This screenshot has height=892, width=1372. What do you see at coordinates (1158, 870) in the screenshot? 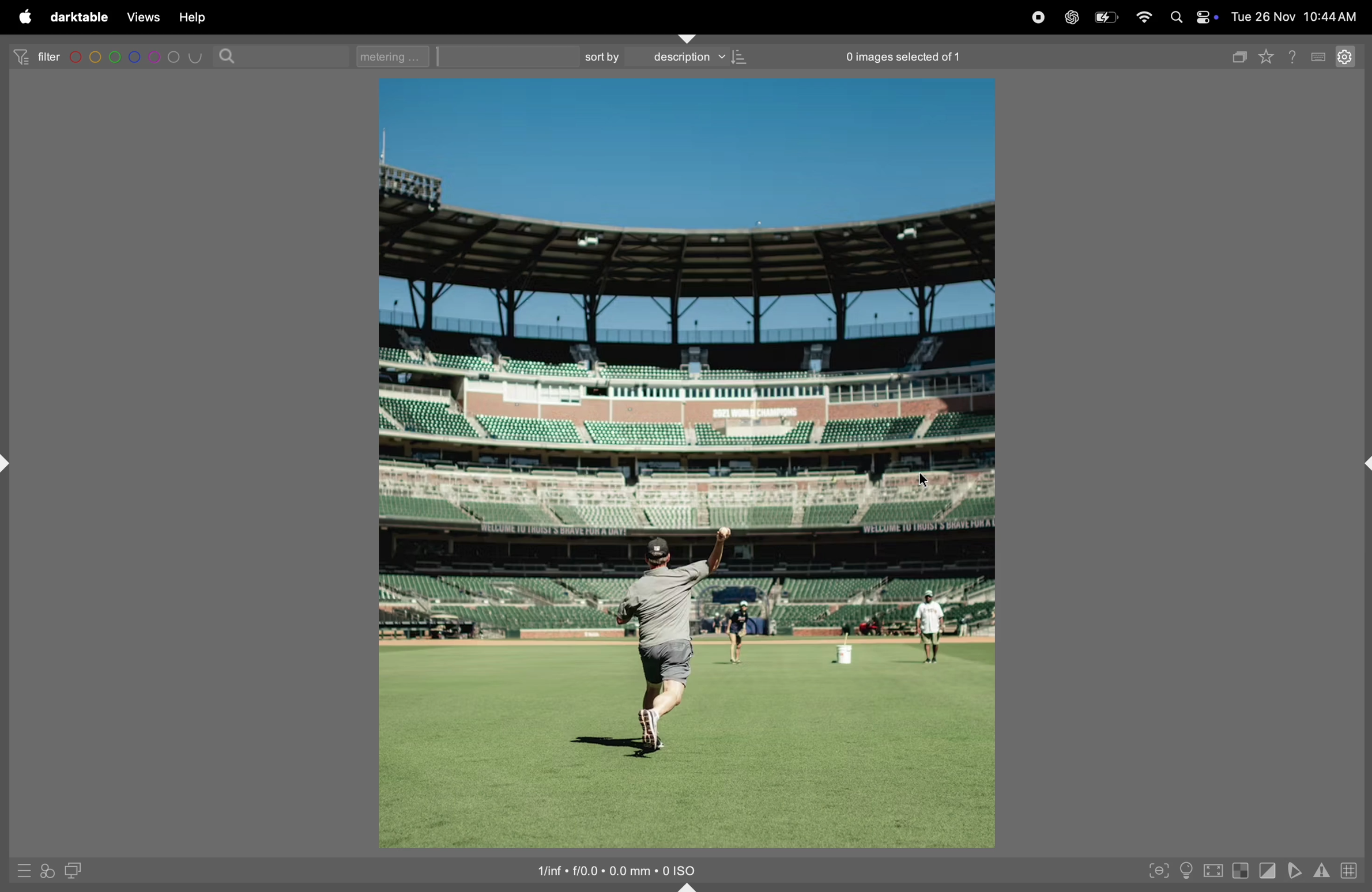
I see `toggle peak focusing mode` at bounding box center [1158, 870].